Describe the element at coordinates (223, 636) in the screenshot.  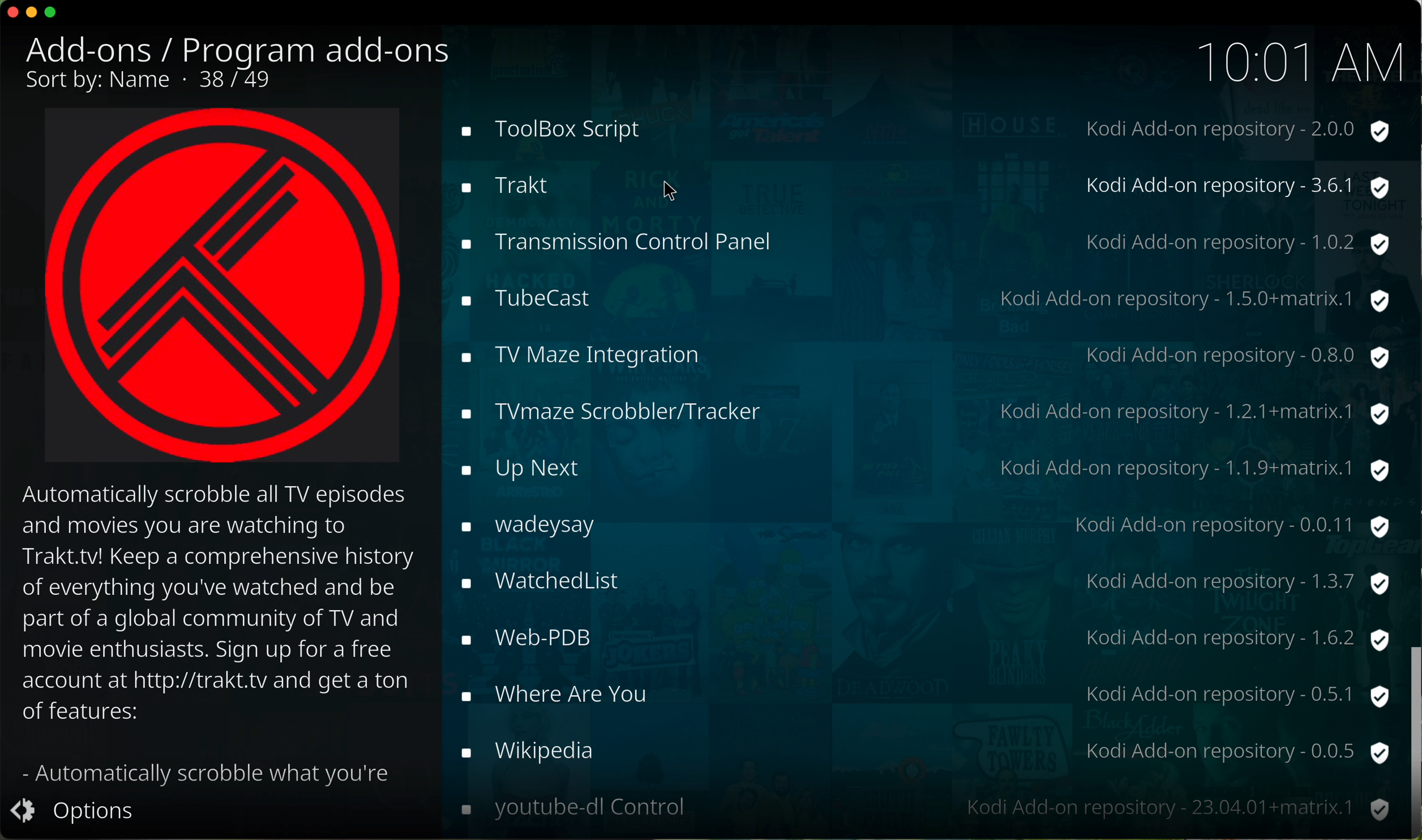
I see `description` at that location.